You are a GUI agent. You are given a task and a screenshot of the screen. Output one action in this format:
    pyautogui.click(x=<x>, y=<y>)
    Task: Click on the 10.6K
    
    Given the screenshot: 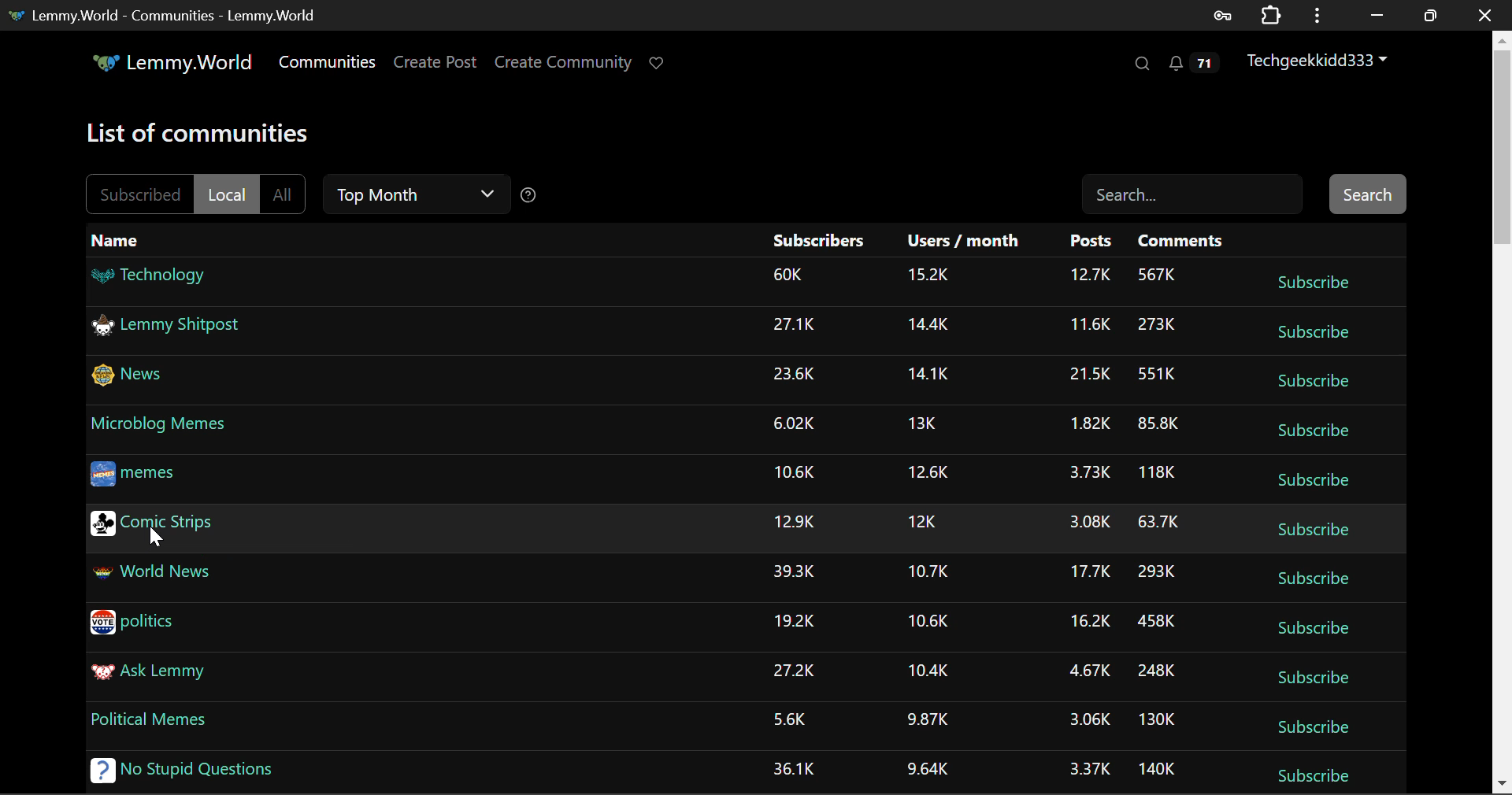 What is the action you would take?
    pyautogui.click(x=930, y=622)
    